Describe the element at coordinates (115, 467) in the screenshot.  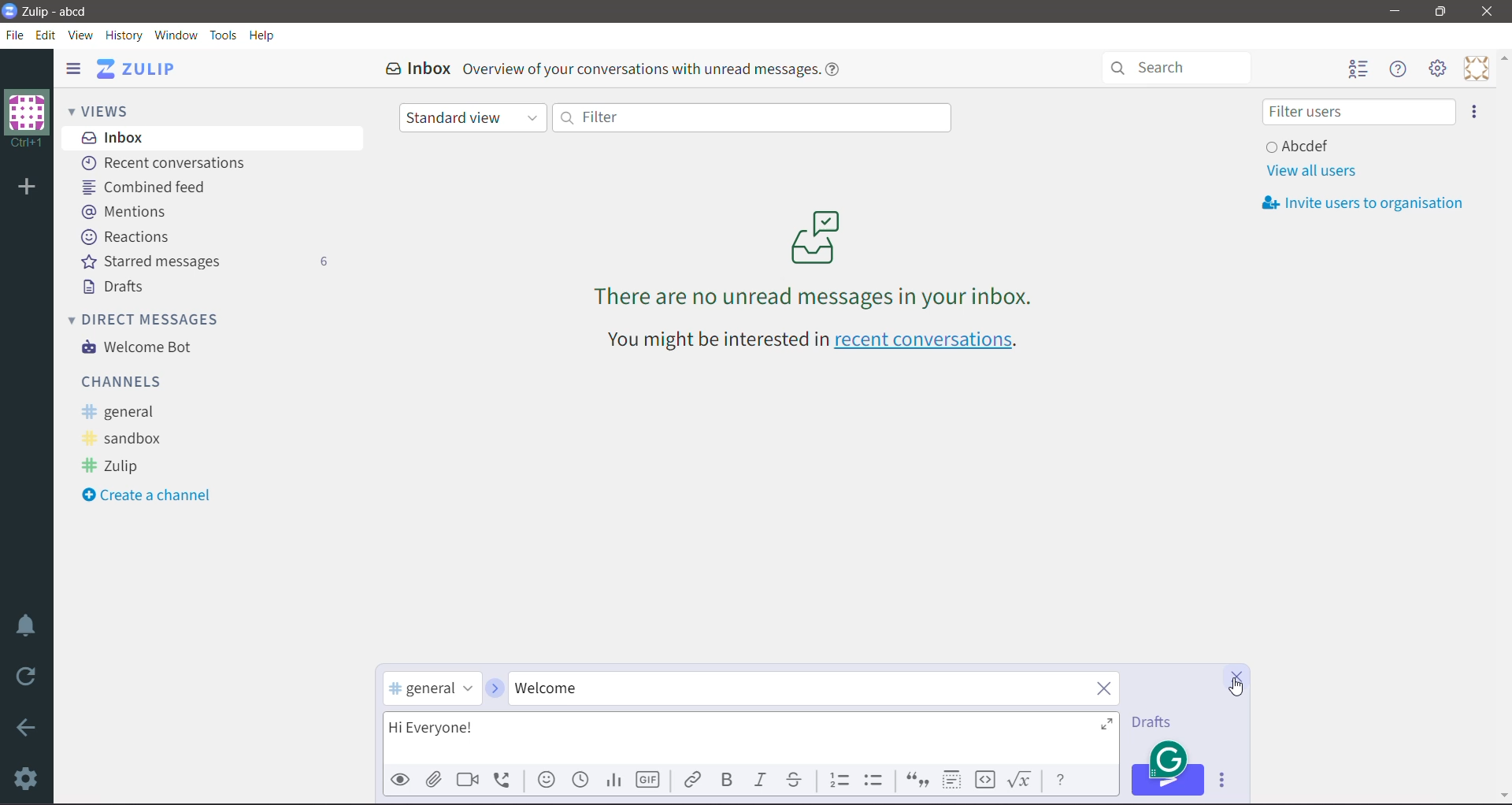
I see `Zulip` at that location.